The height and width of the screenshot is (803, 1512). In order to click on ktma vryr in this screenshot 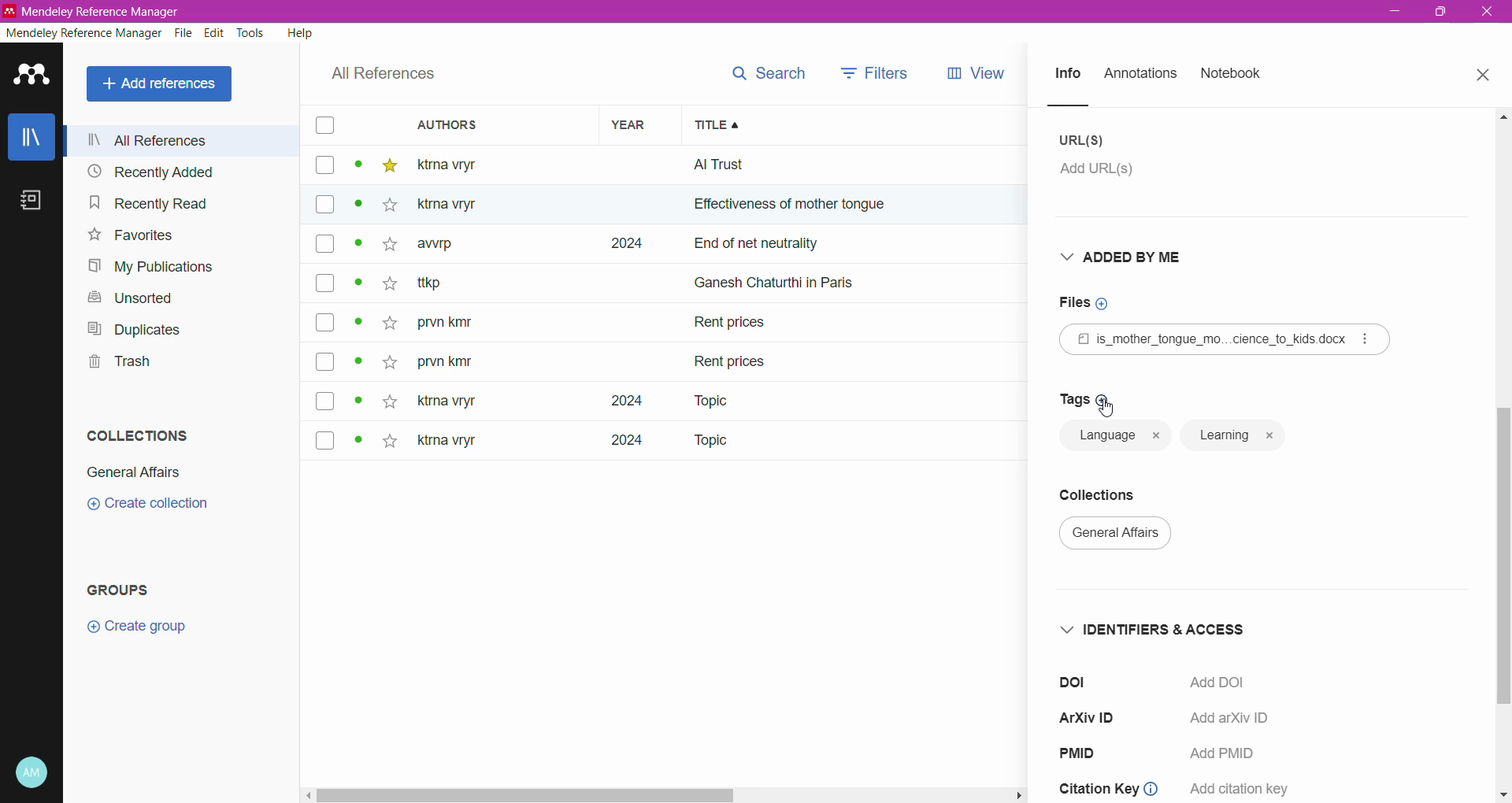, I will do `click(447, 444)`.